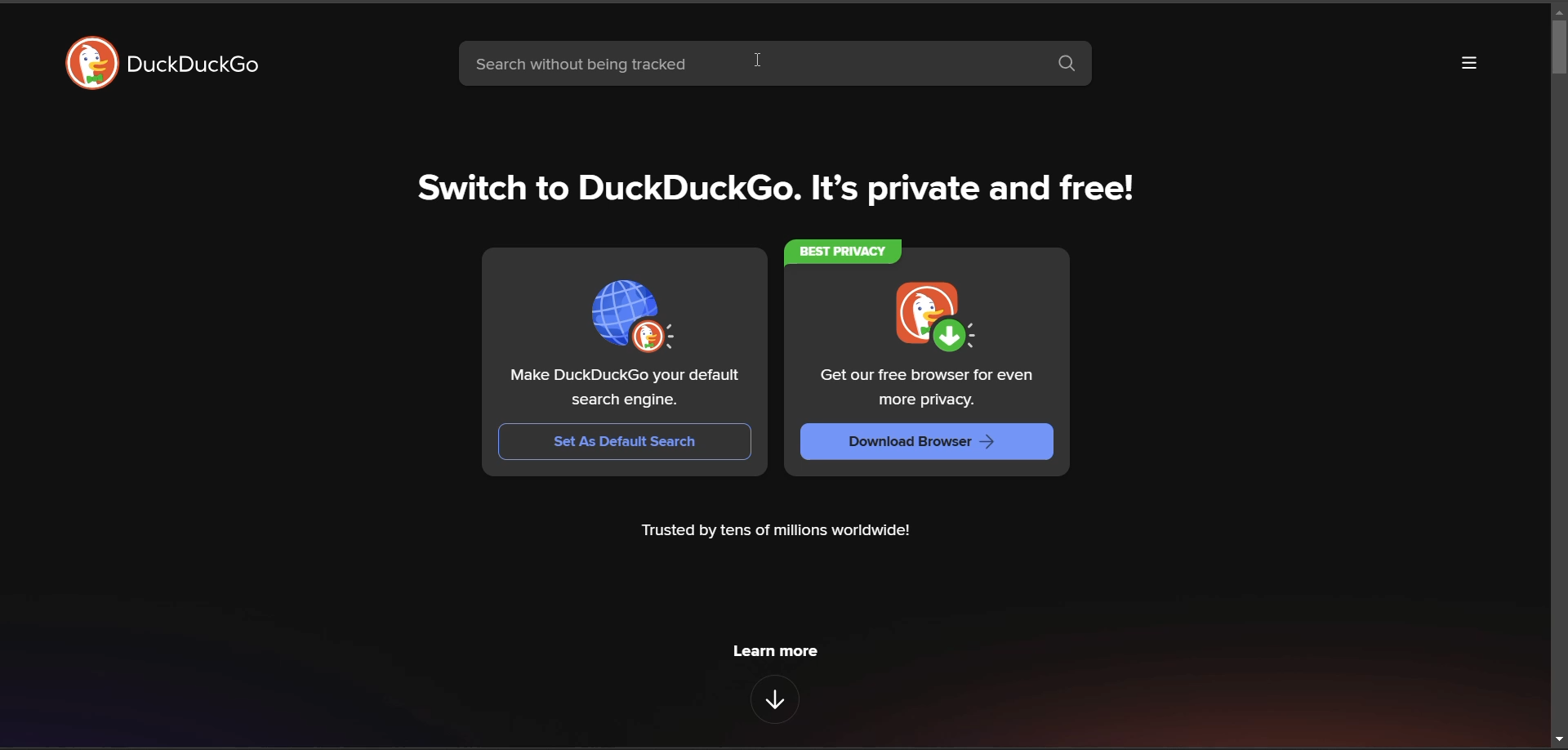 The height and width of the screenshot is (750, 1568). Describe the element at coordinates (631, 314) in the screenshot. I see `set as default search bar image` at that location.